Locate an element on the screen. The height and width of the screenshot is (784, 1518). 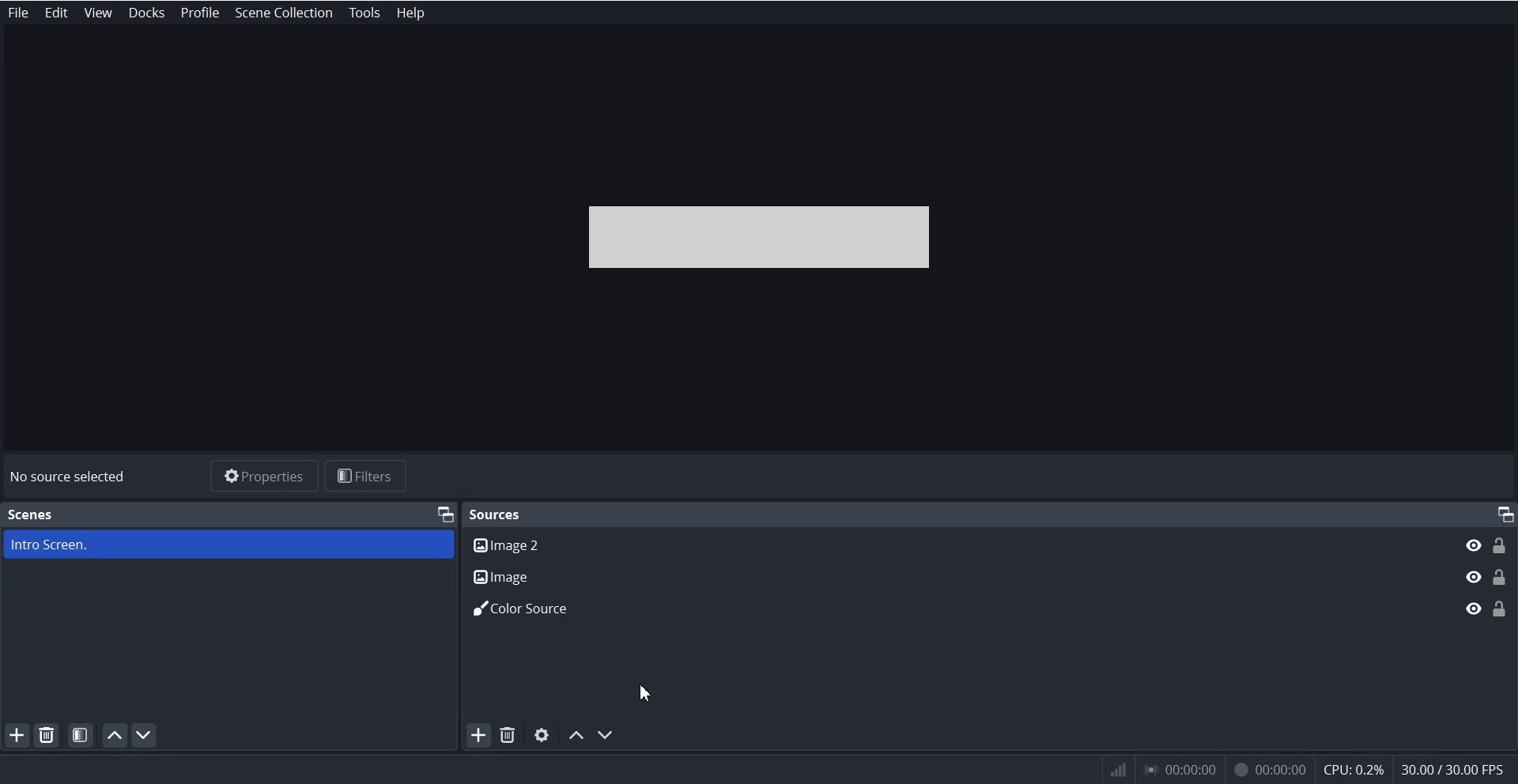
Move Scene down is located at coordinates (147, 735).